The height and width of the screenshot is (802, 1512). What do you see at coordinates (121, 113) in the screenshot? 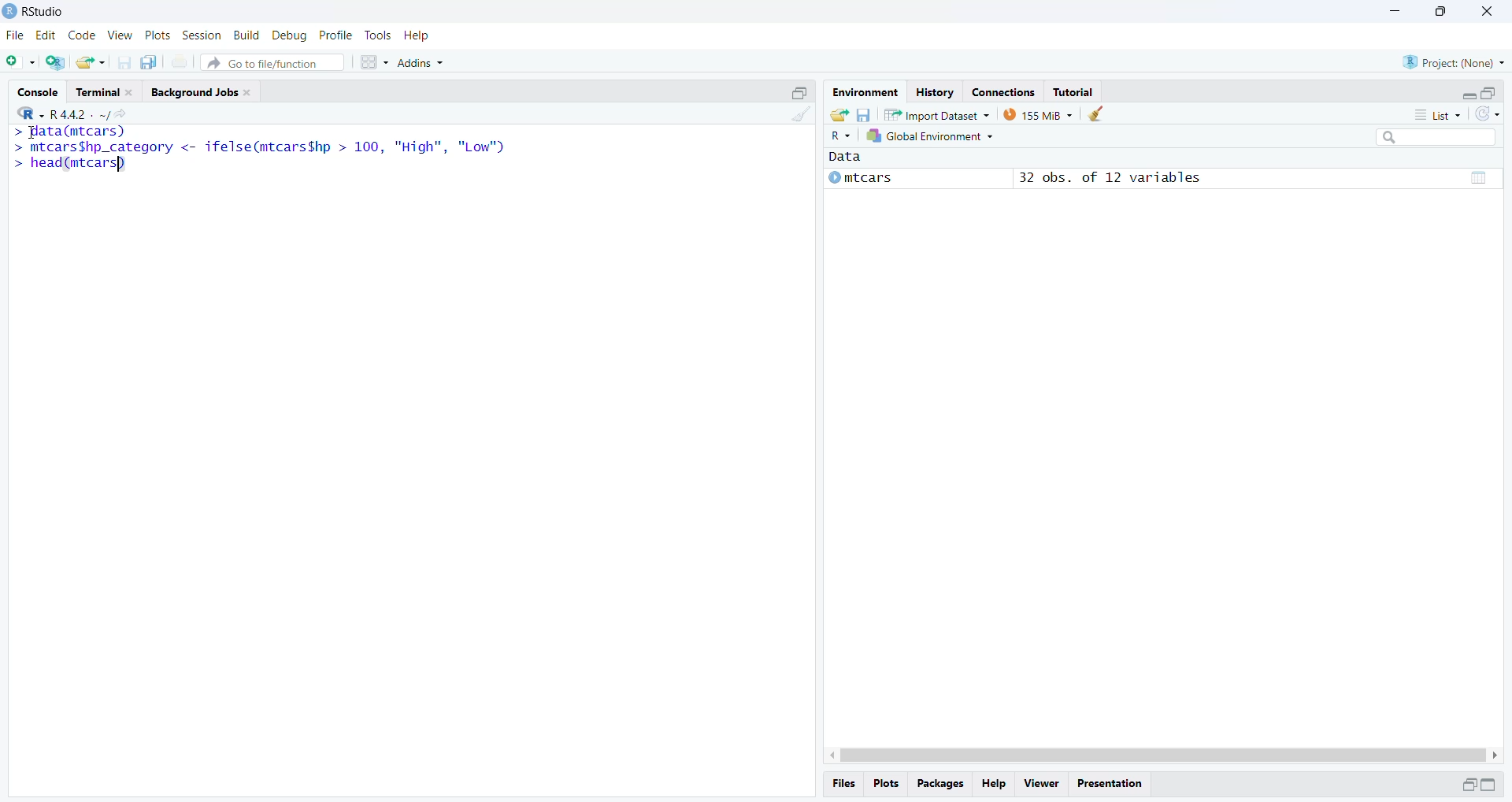
I see `View the current working directory` at bounding box center [121, 113].